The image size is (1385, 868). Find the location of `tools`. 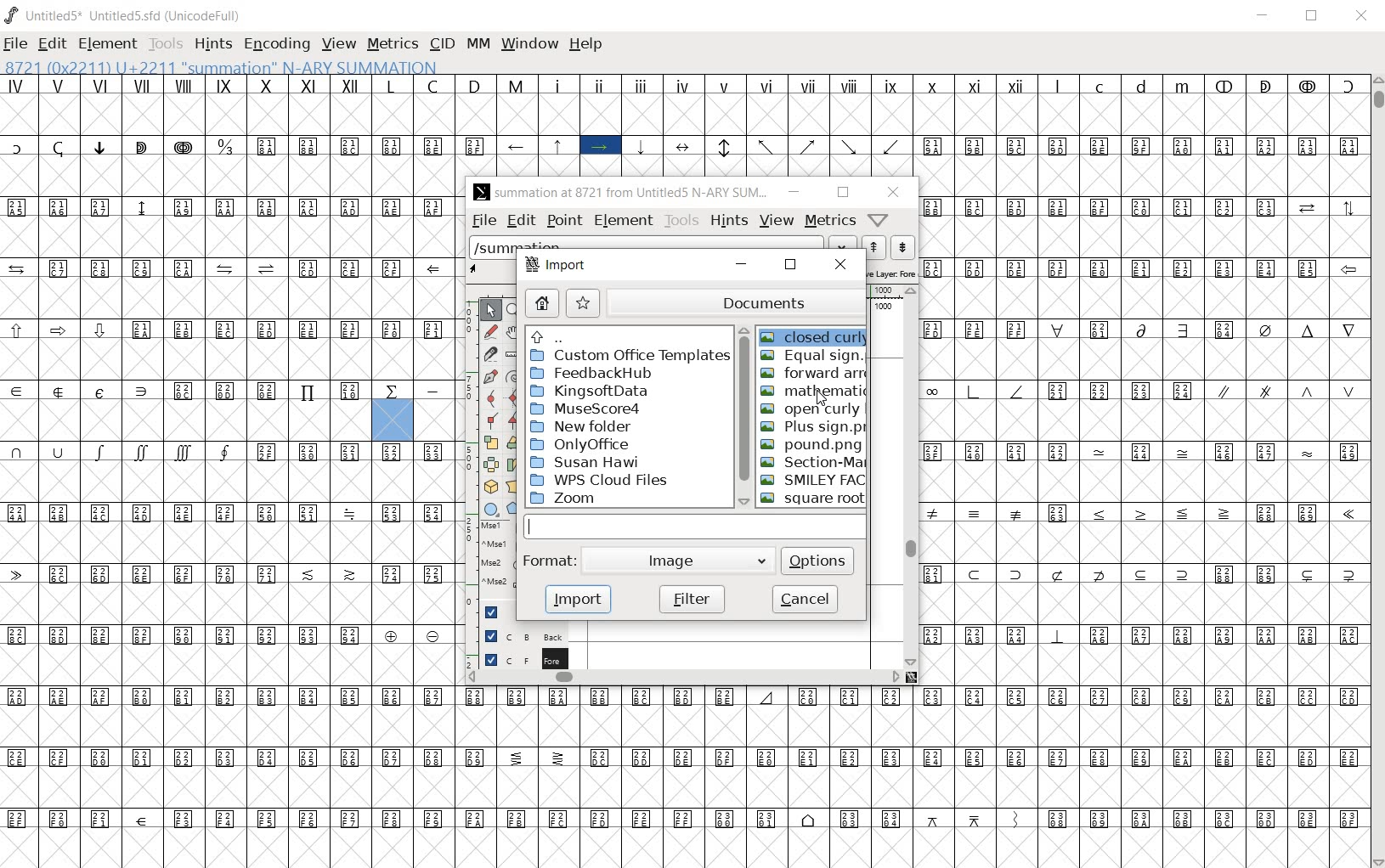

tools is located at coordinates (681, 220).